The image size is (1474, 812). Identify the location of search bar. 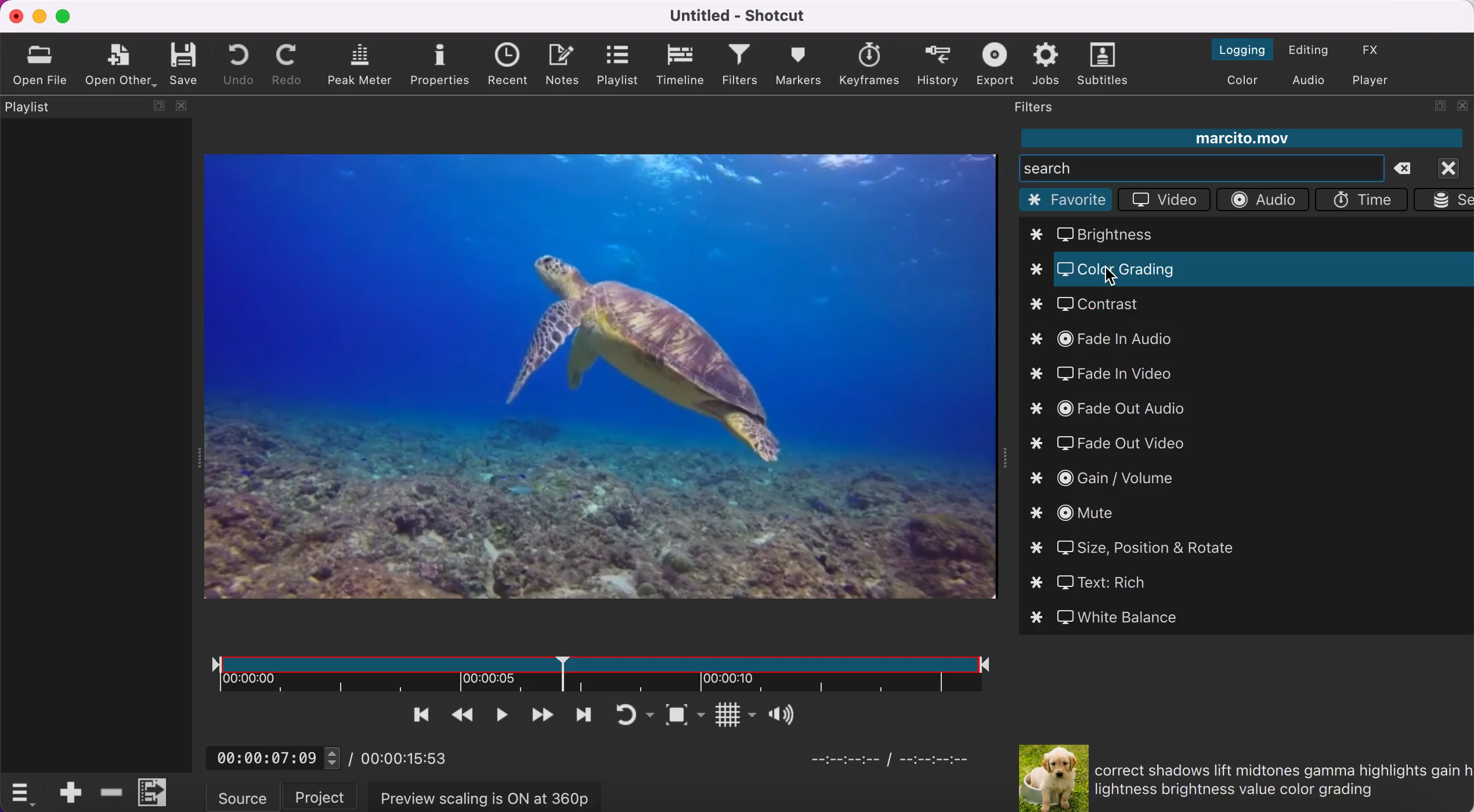
(1201, 167).